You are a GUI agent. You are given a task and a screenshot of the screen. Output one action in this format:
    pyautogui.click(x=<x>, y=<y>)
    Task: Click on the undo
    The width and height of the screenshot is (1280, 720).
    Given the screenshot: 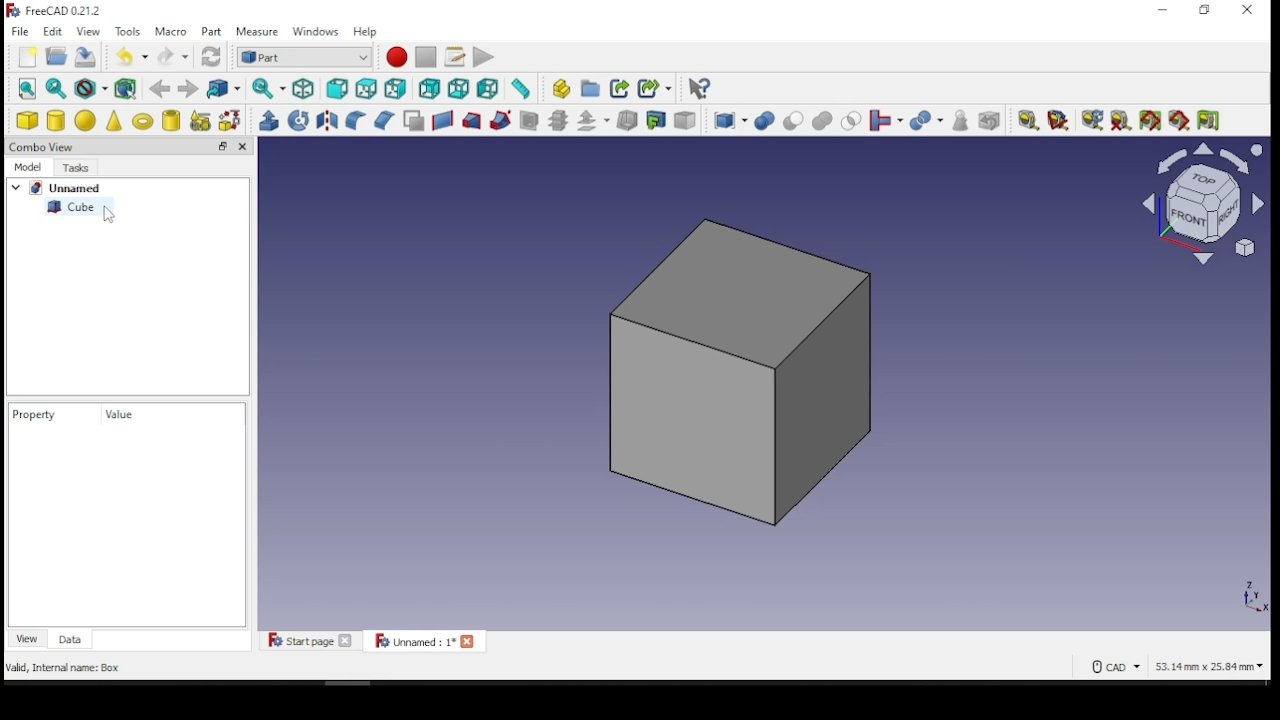 What is the action you would take?
    pyautogui.click(x=132, y=55)
    